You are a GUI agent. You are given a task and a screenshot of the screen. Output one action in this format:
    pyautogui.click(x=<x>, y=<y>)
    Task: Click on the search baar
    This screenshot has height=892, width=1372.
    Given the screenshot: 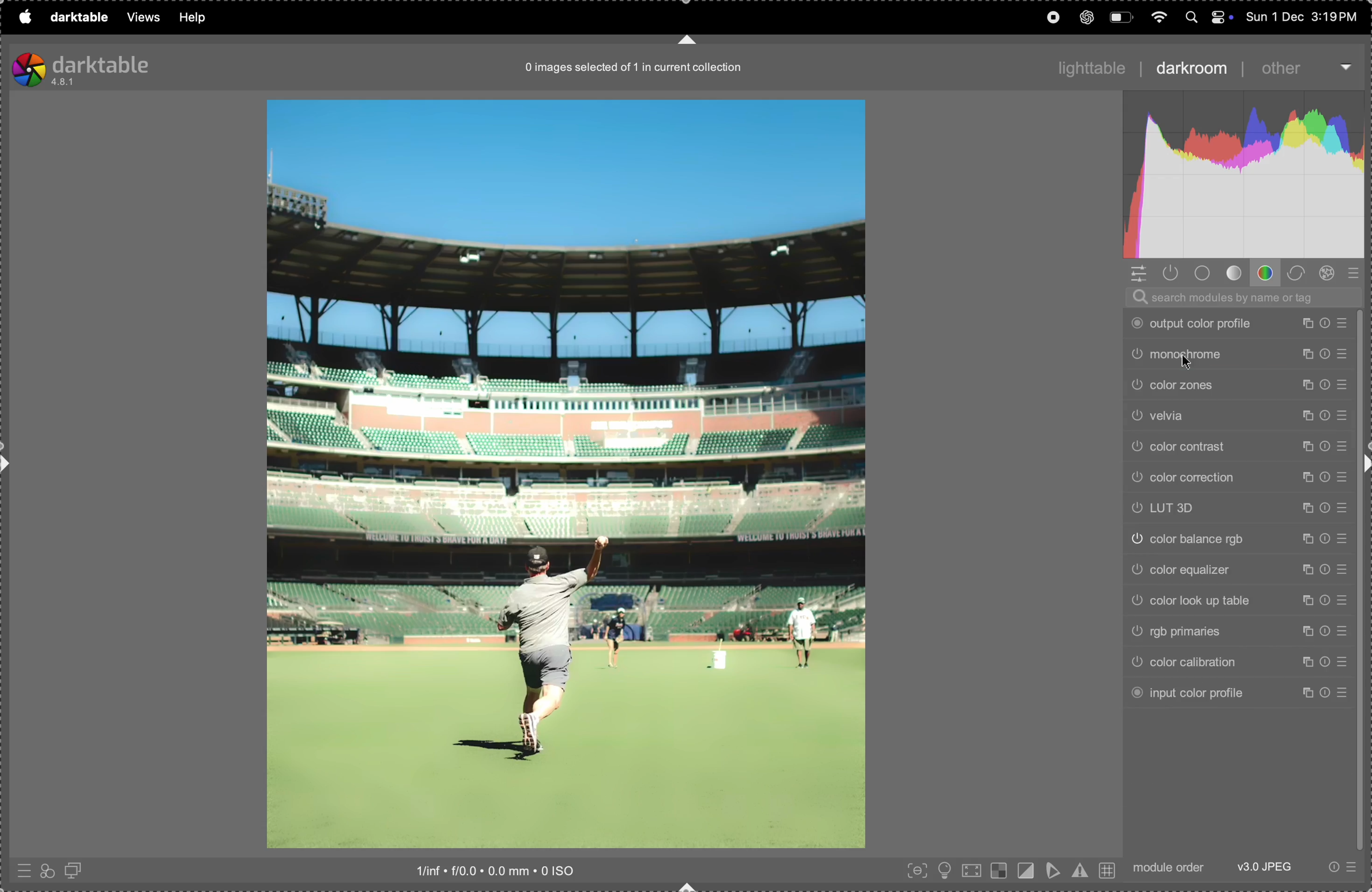 What is the action you would take?
    pyautogui.click(x=1240, y=297)
    